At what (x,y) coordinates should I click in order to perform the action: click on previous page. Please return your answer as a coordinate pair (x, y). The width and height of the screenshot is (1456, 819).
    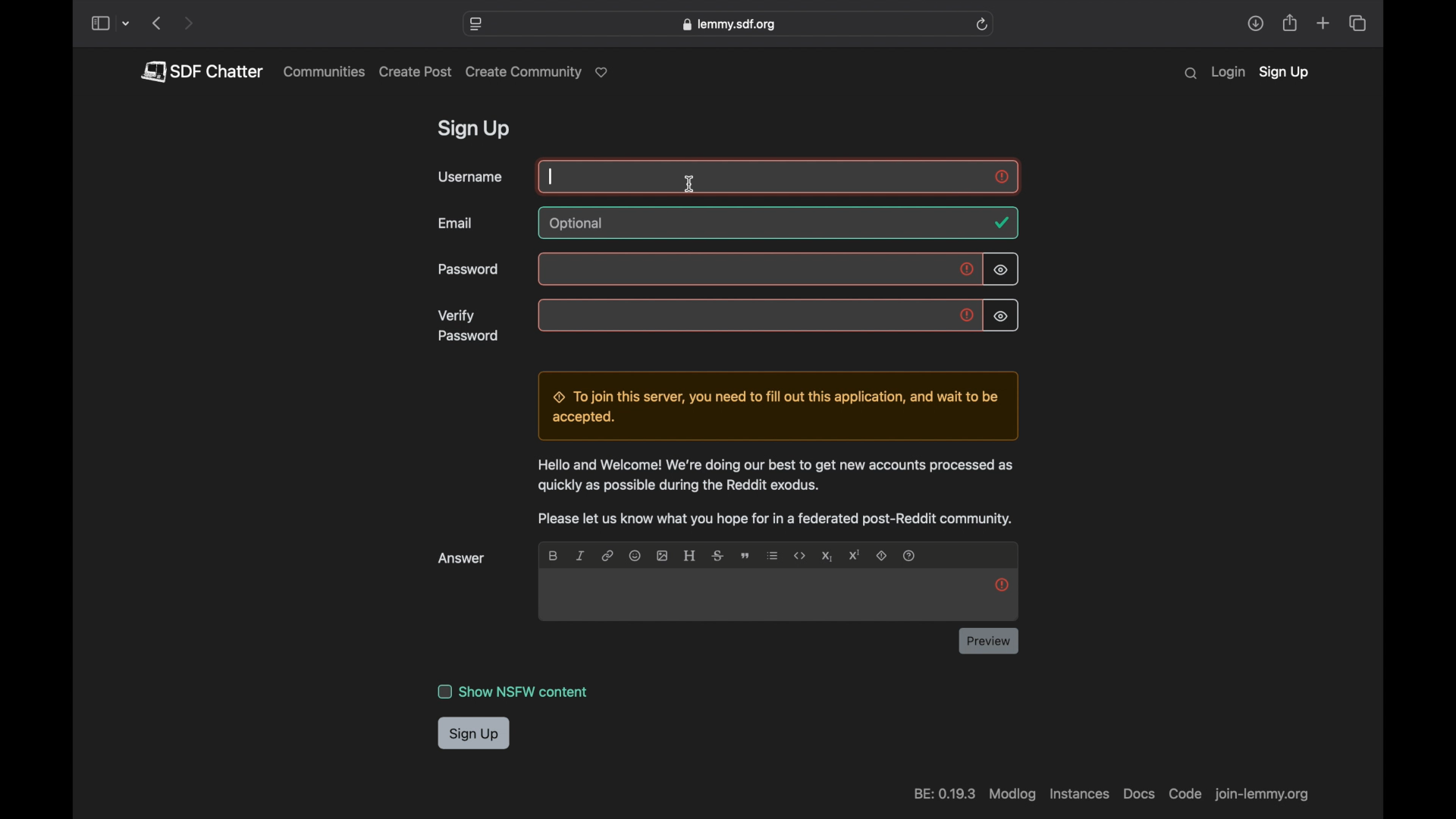
    Looking at the image, I should click on (156, 23).